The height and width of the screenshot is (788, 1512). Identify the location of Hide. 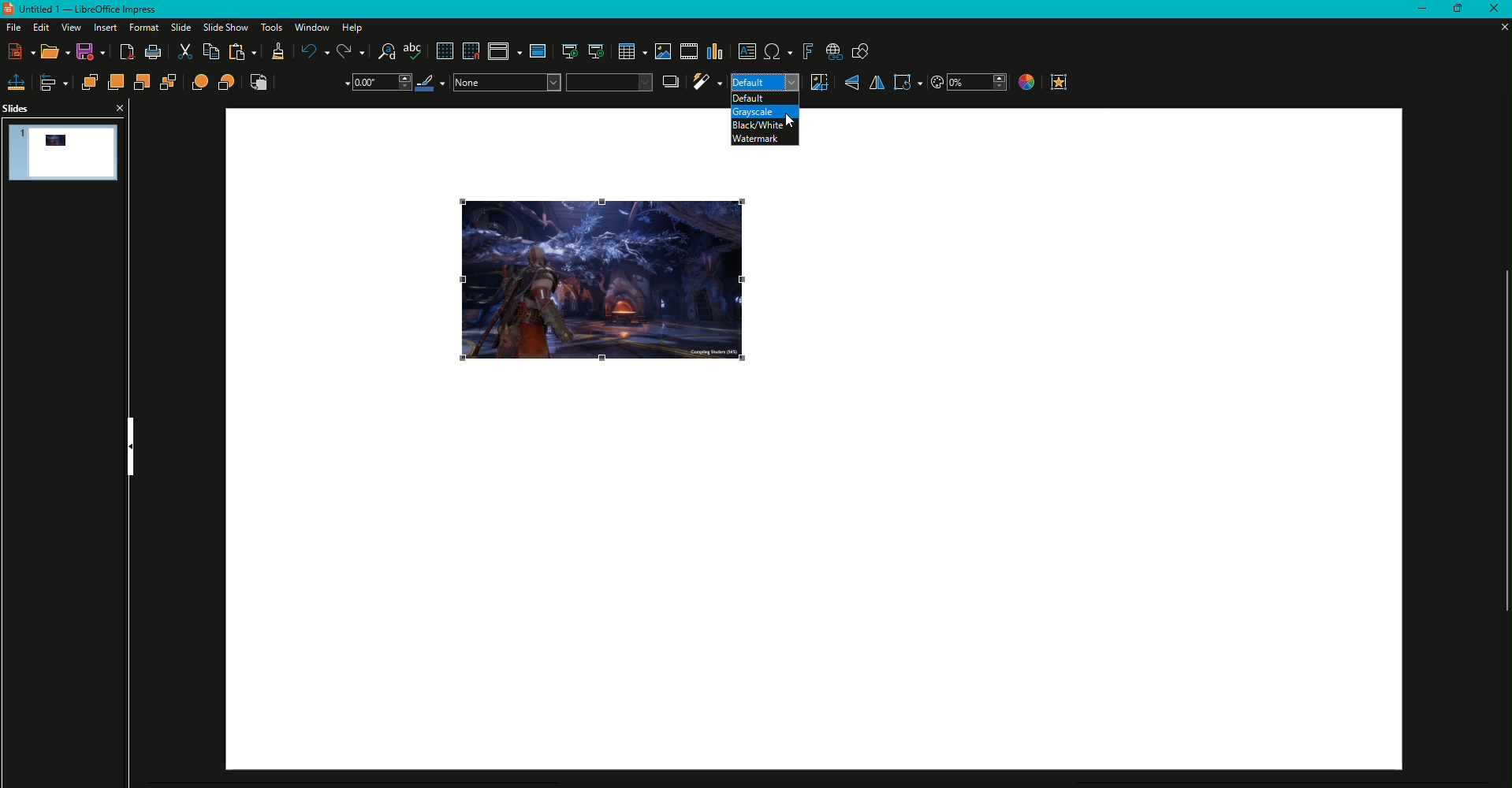
(131, 447).